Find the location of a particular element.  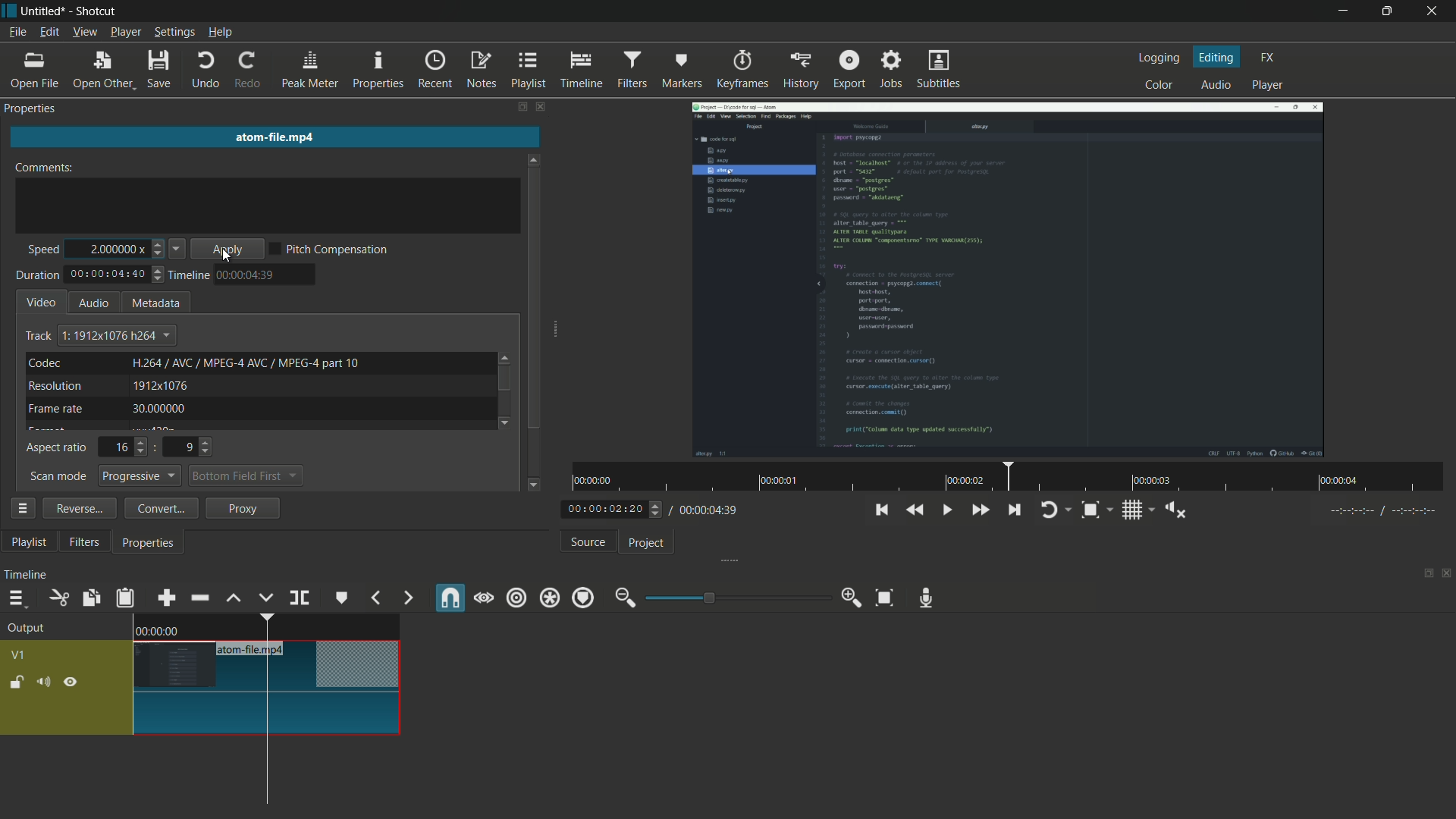

subtitles is located at coordinates (940, 68).